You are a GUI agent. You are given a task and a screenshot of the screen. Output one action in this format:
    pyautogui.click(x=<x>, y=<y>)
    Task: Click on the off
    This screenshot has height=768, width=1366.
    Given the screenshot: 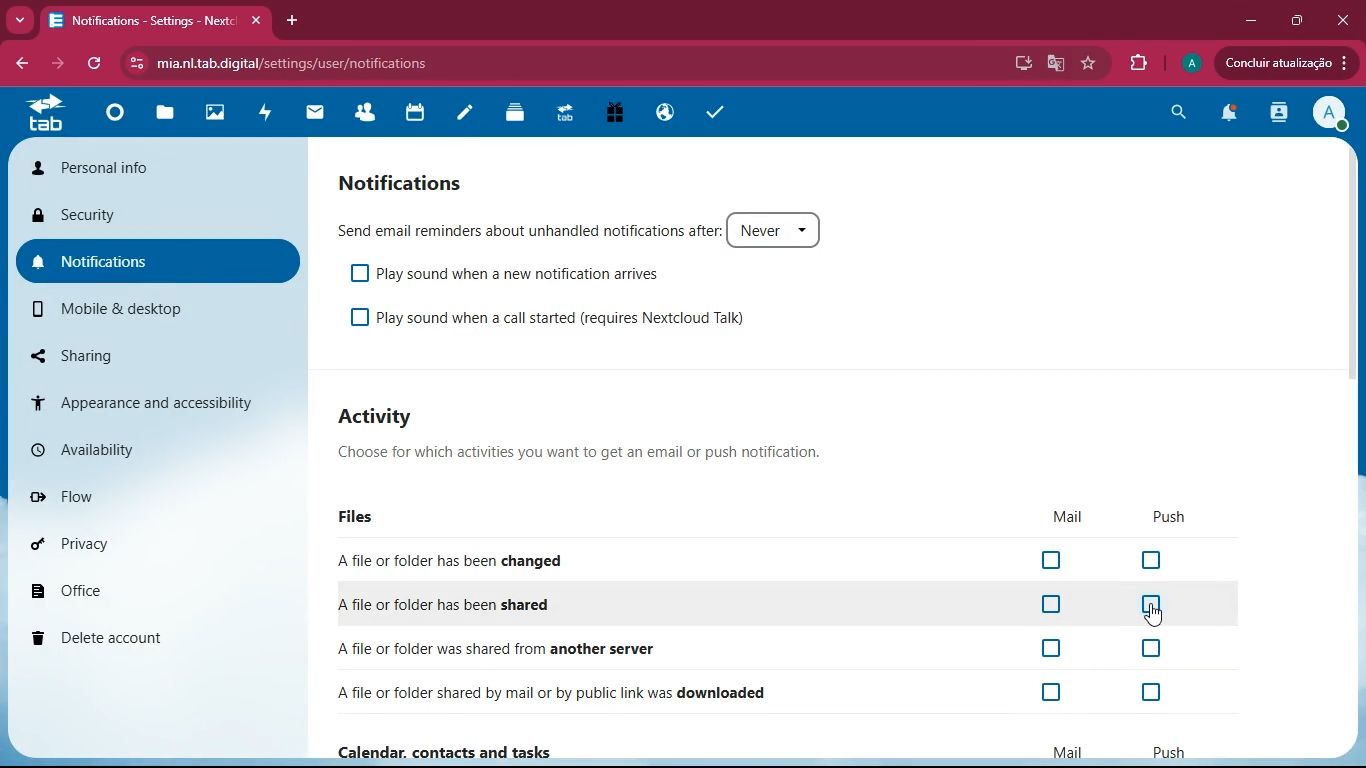 What is the action you would take?
    pyautogui.click(x=1048, y=648)
    